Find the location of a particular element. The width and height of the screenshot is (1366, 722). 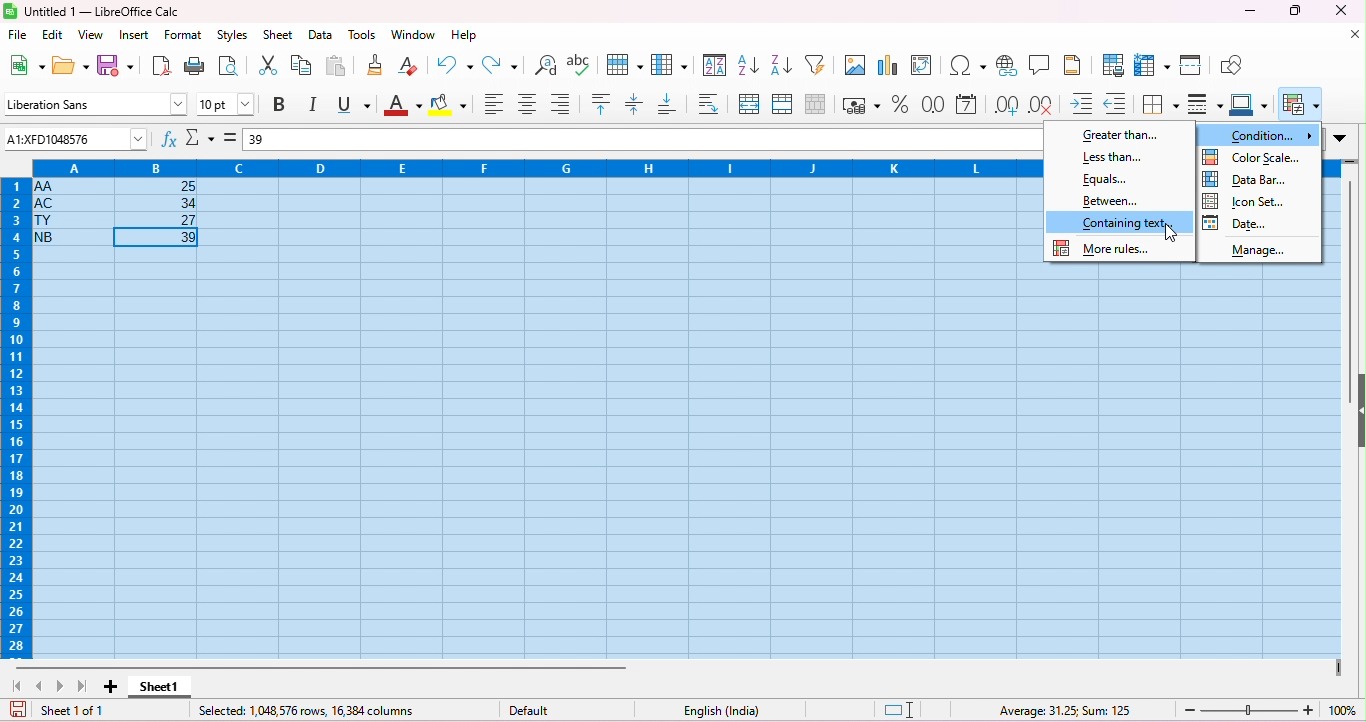

bold is located at coordinates (282, 104).